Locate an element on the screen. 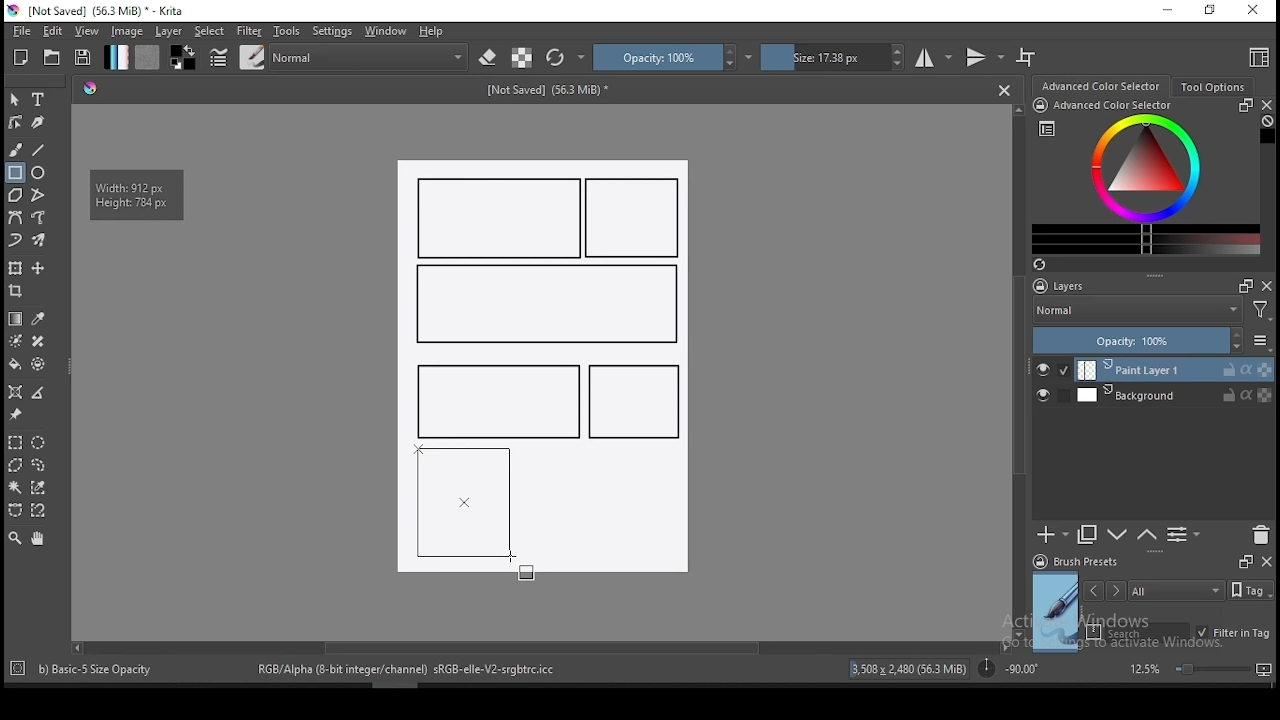 The height and width of the screenshot is (720, 1280). rectangular selection tool is located at coordinates (14, 442).